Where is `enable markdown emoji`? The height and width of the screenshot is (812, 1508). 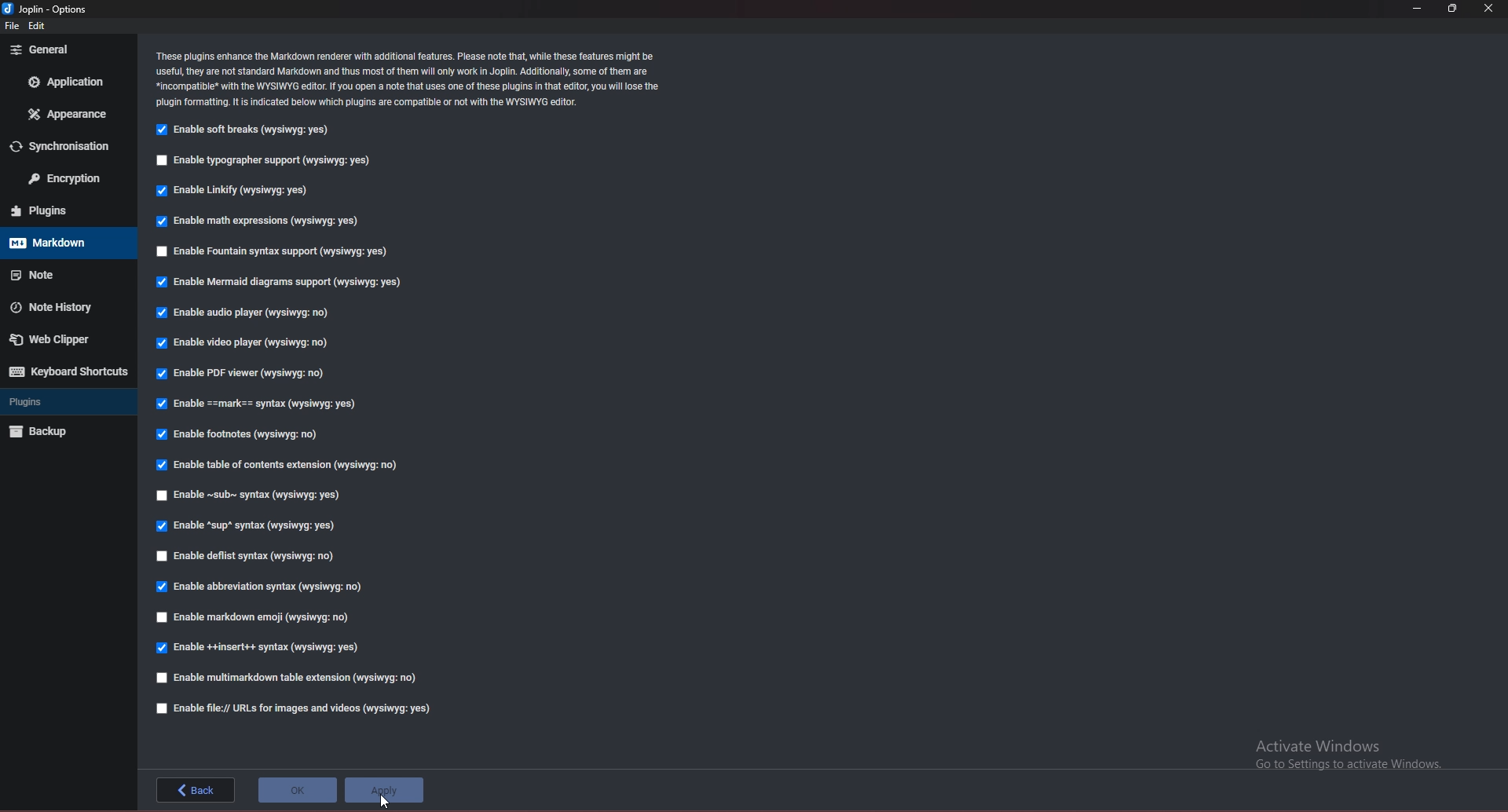 enable markdown emoji is located at coordinates (254, 619).